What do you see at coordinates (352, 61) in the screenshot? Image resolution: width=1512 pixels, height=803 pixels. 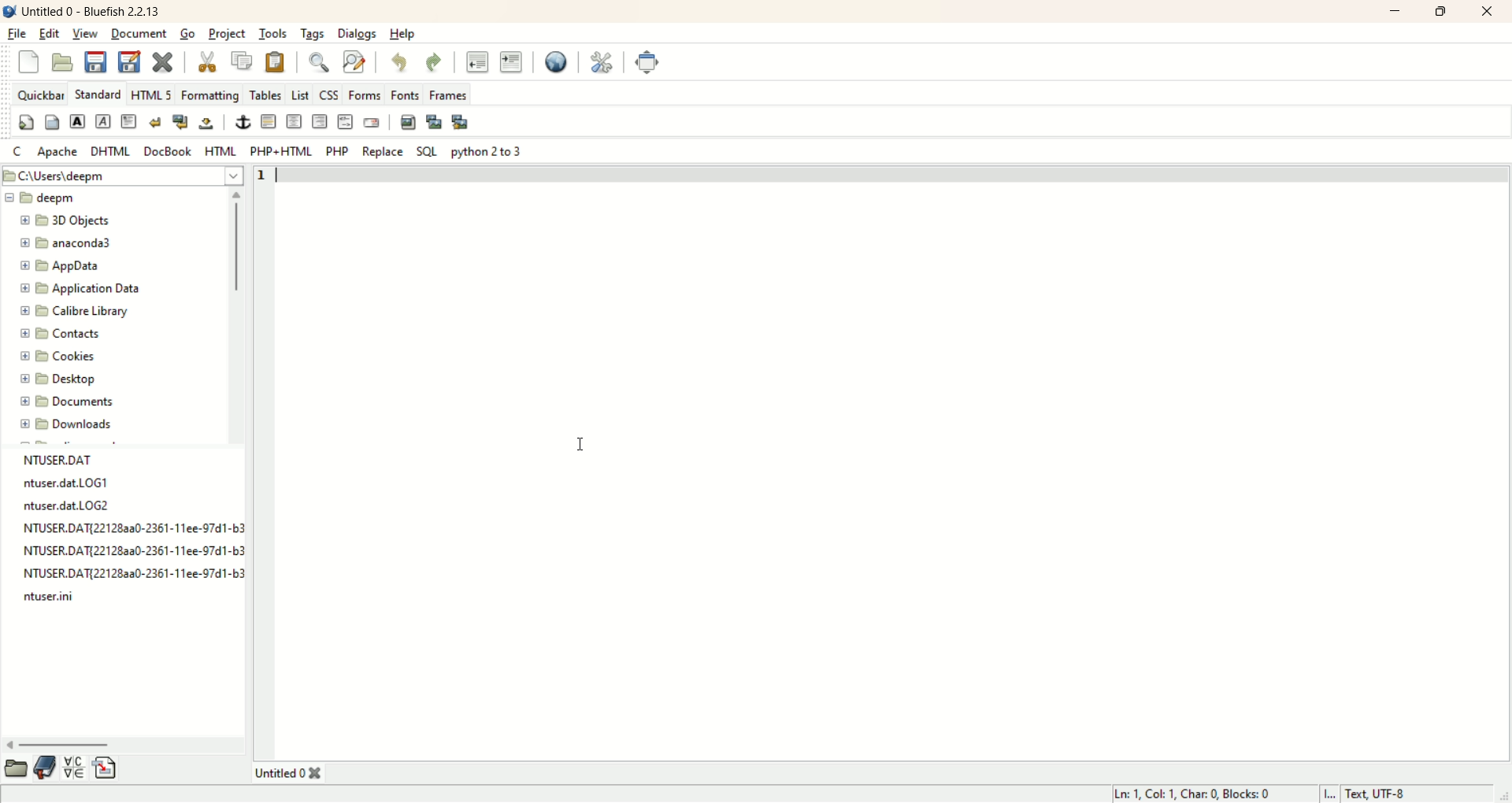 I see `advance find and replace` at bounding box center [352, 61].